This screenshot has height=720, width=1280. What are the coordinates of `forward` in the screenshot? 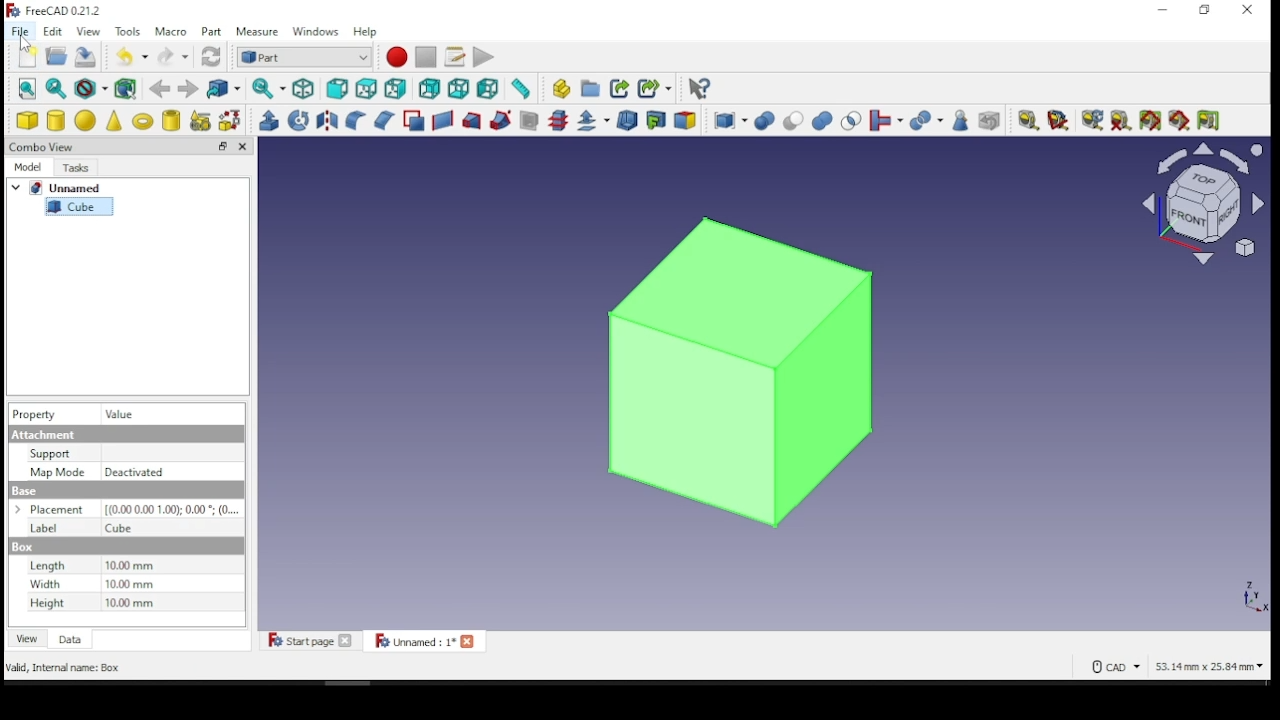 It's located at (187, 89).